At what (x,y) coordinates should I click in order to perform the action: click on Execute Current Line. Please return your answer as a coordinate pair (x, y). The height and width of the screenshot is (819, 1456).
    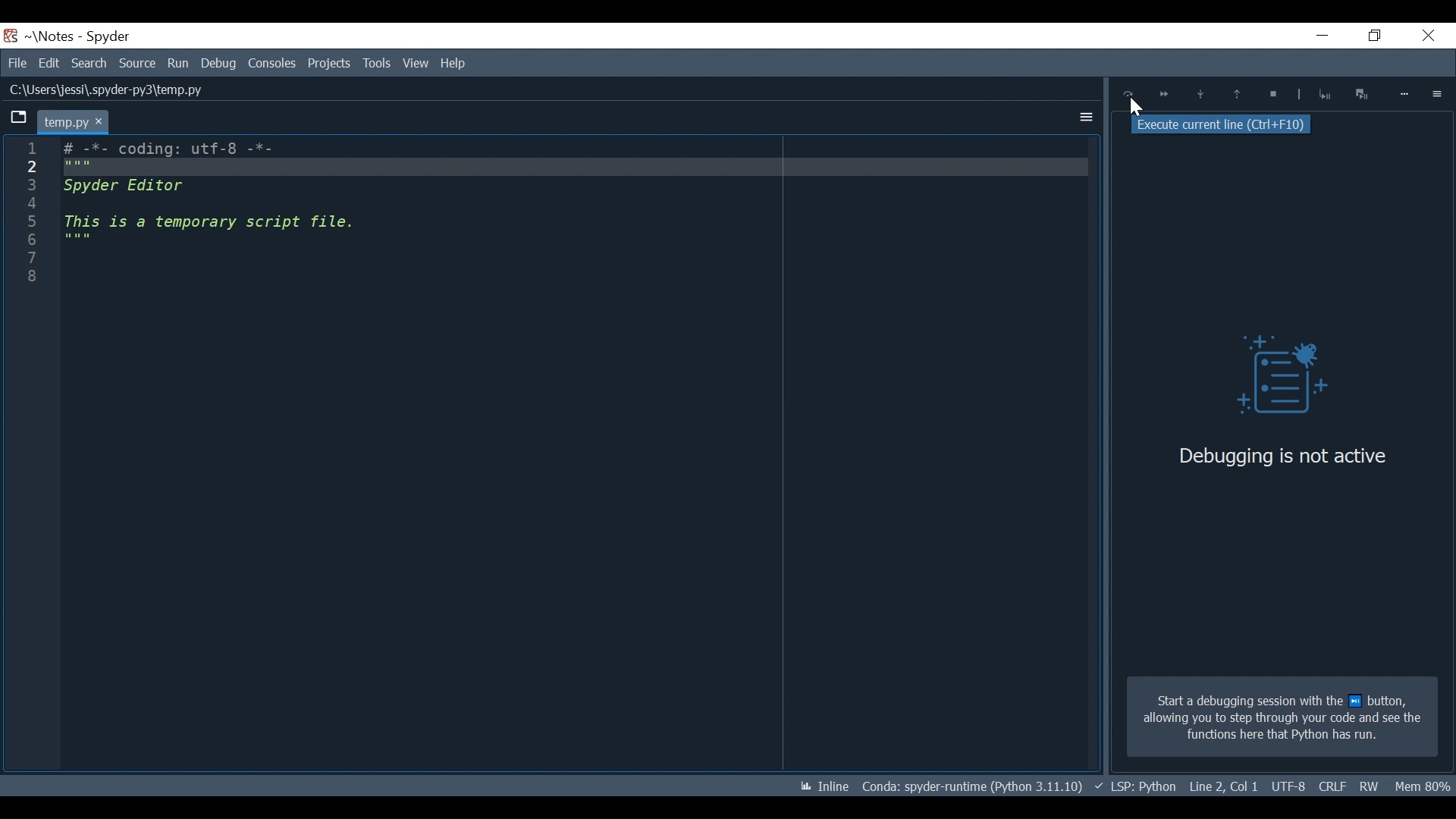
    Looking at the image, I should click on (1128, 94).